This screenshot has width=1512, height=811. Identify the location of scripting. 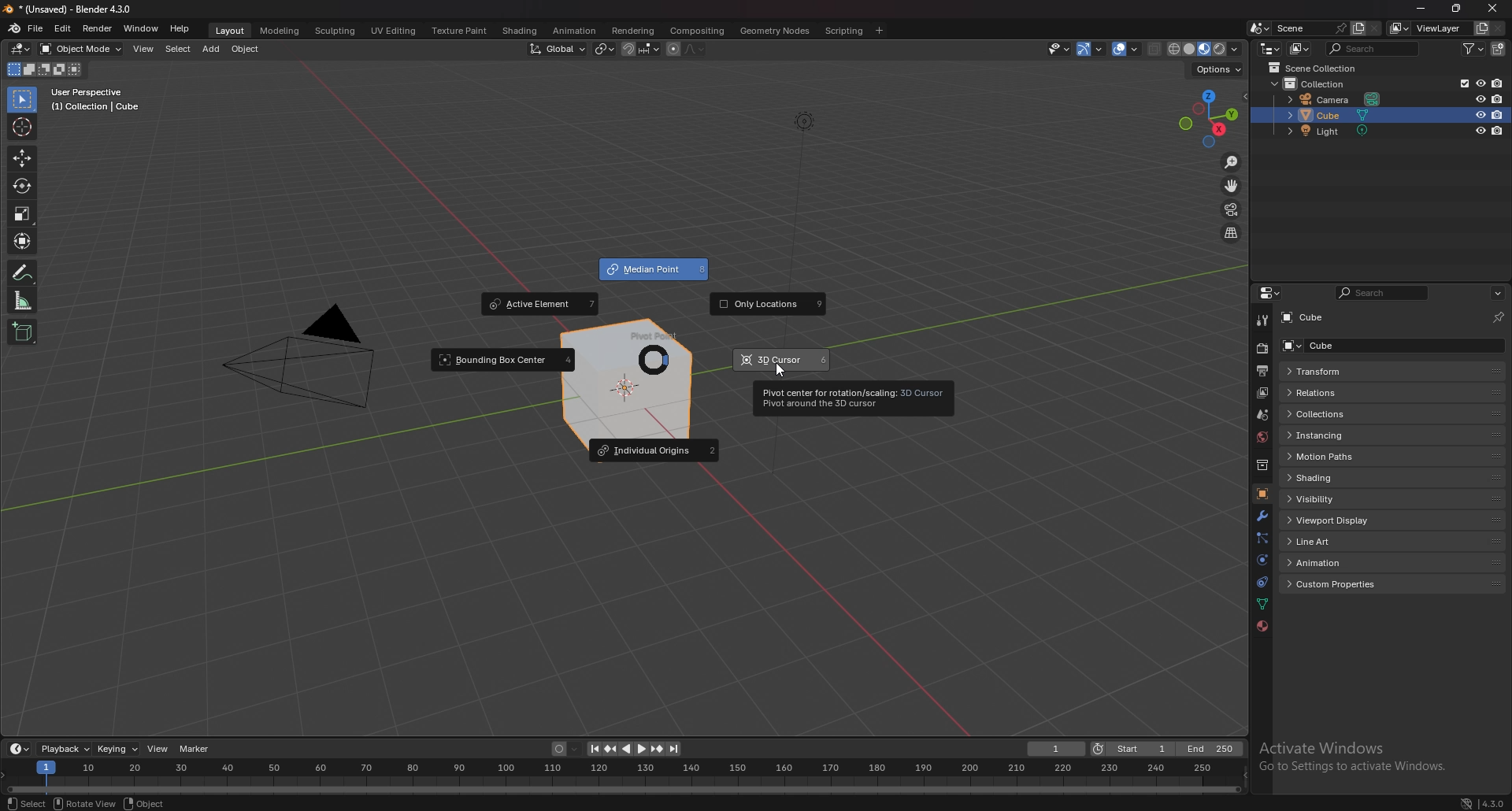
(843, 31).